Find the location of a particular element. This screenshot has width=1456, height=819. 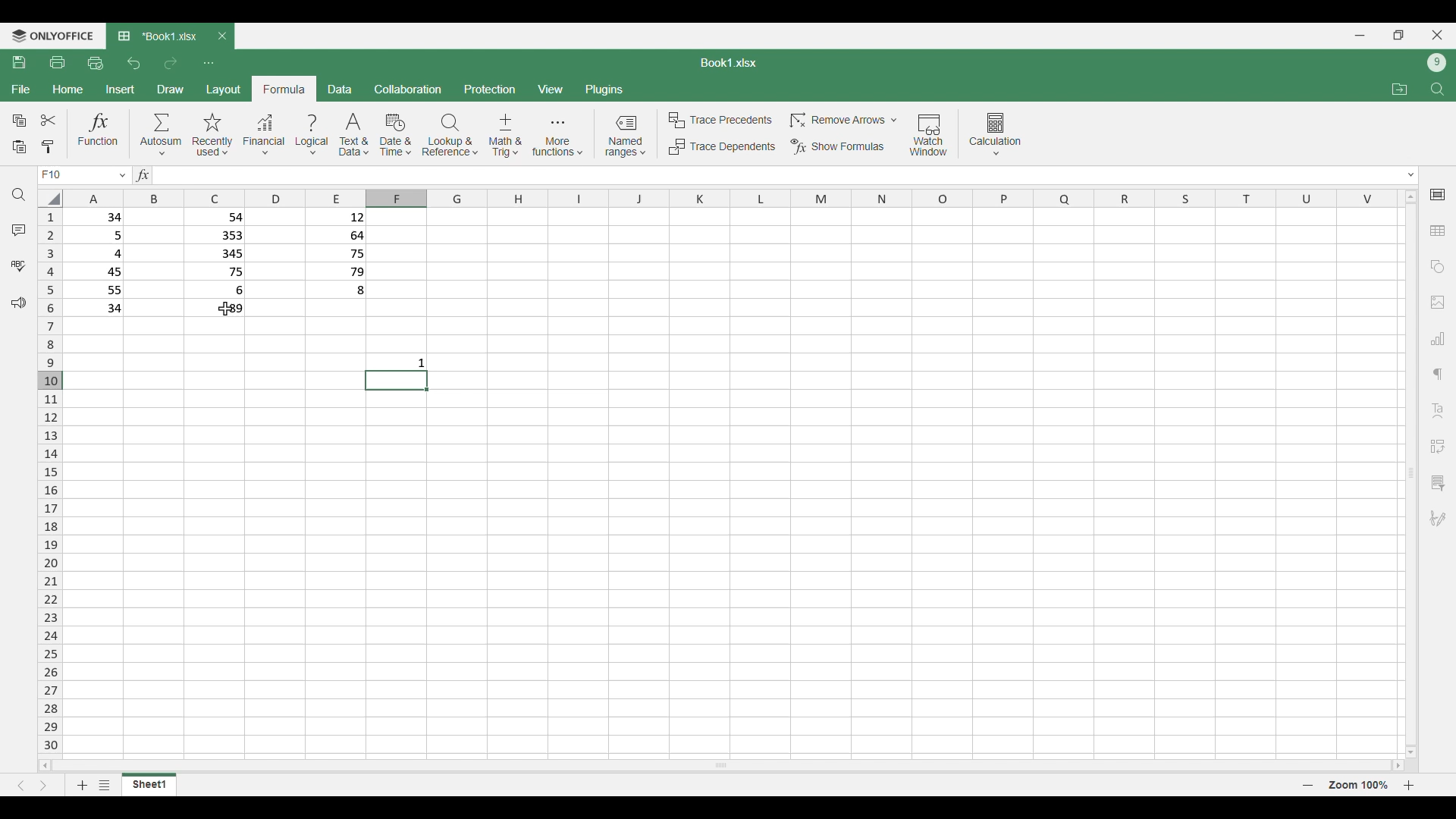

Close tab is located at coordinates (223, 36).